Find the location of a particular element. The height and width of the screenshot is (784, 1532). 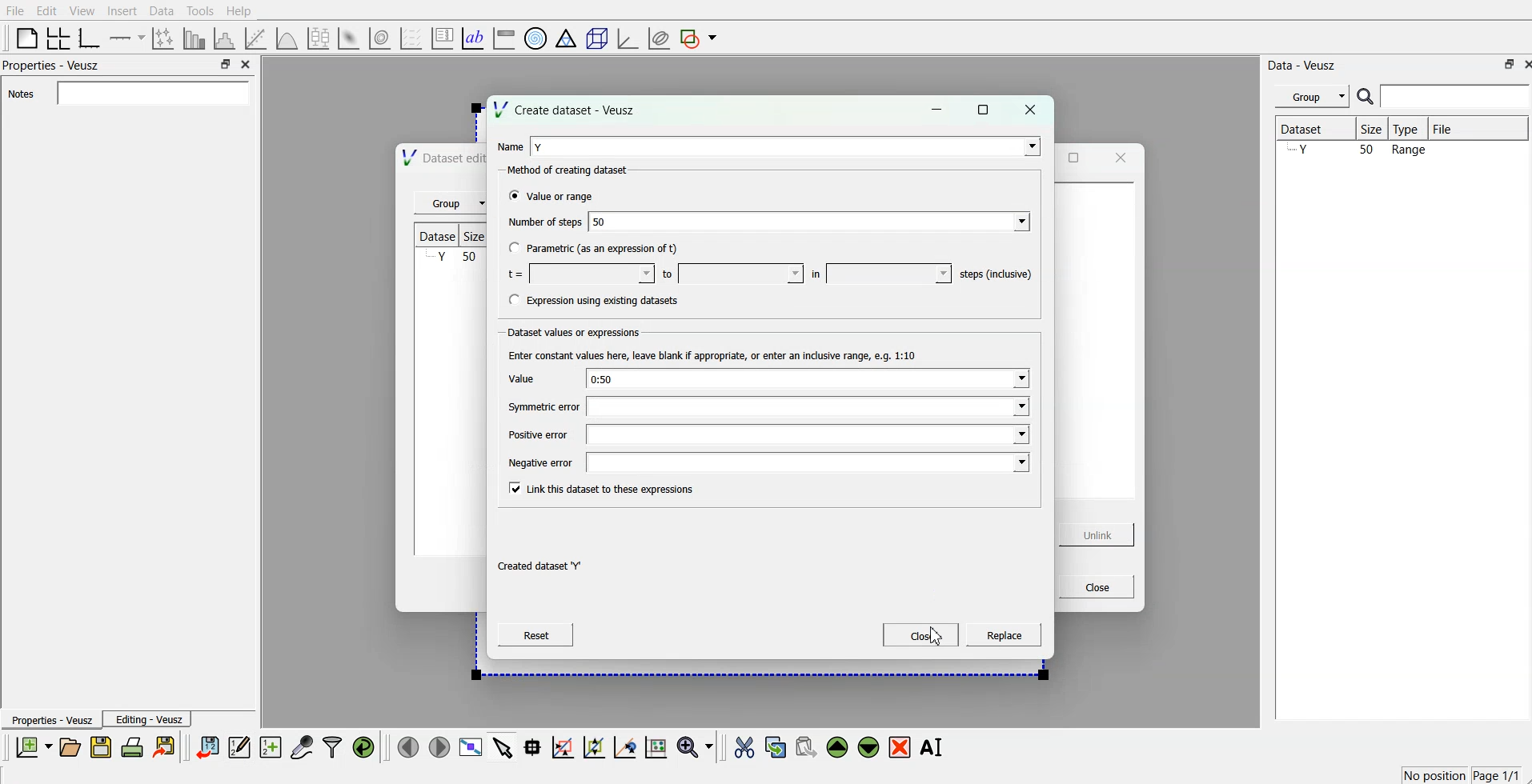

Data is located at coordinates (162, 11).